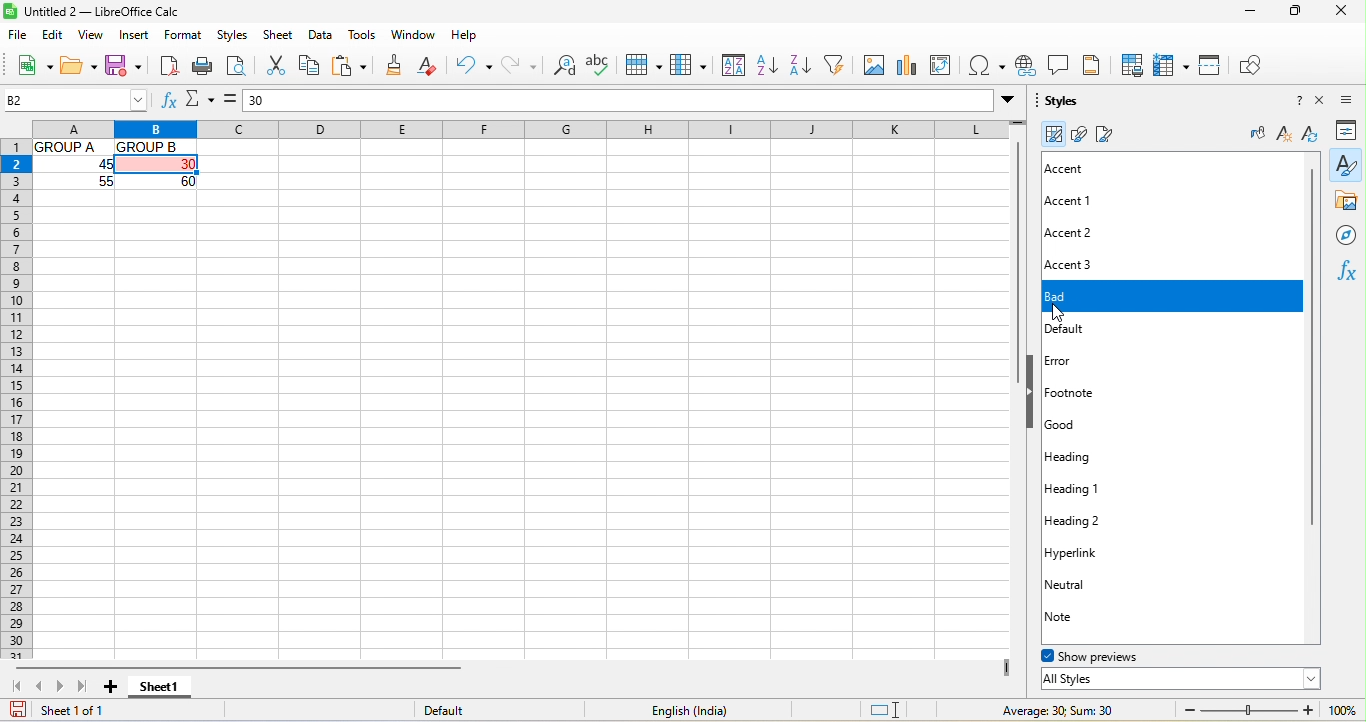  Describe the element at coordinates (75, 100) in the screenshot. I see `B2 (selected cell number)` at that location.